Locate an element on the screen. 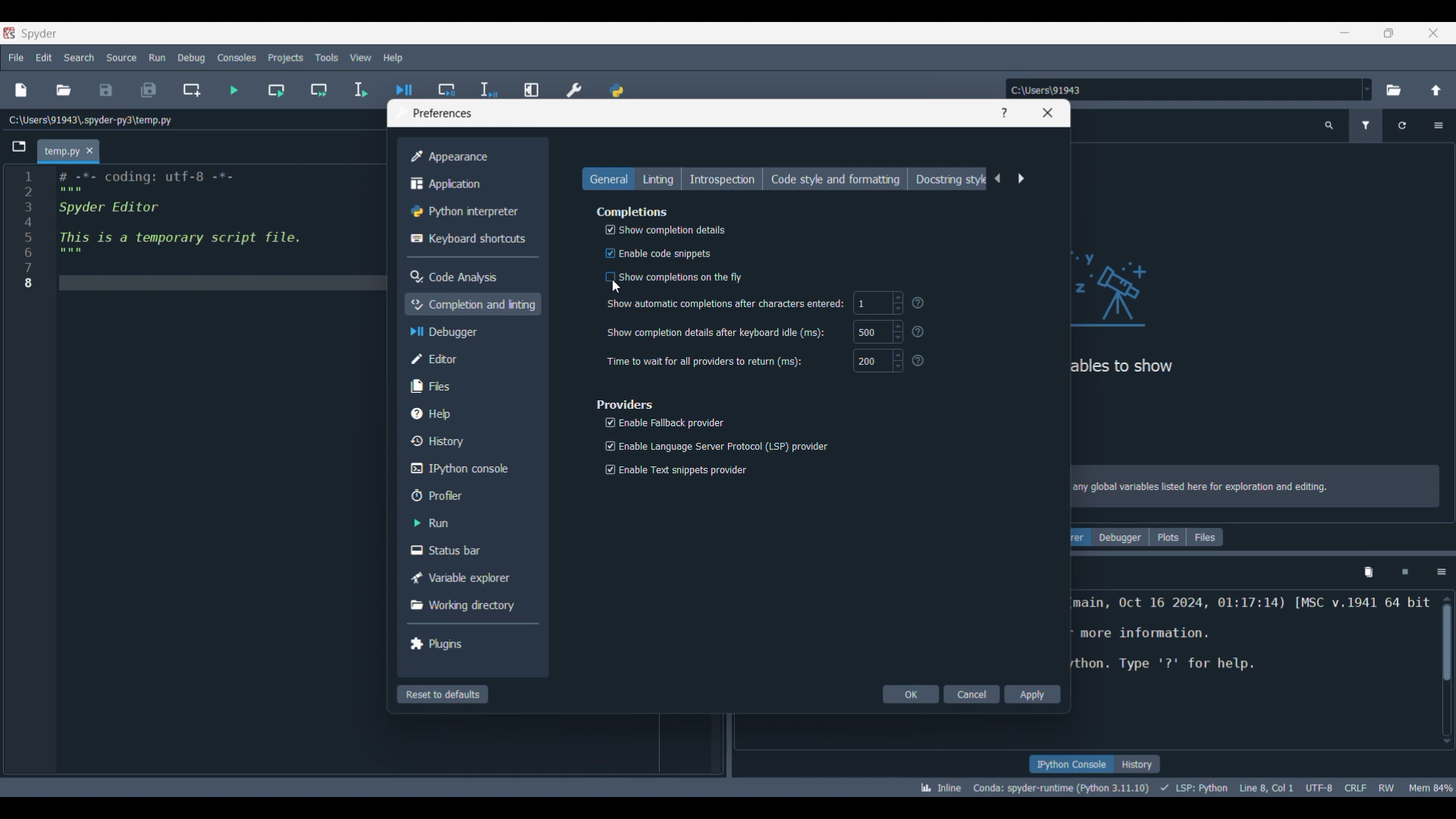 The image size is (1456, 819). Search variable names and types is located at coordinates (1329, 126).